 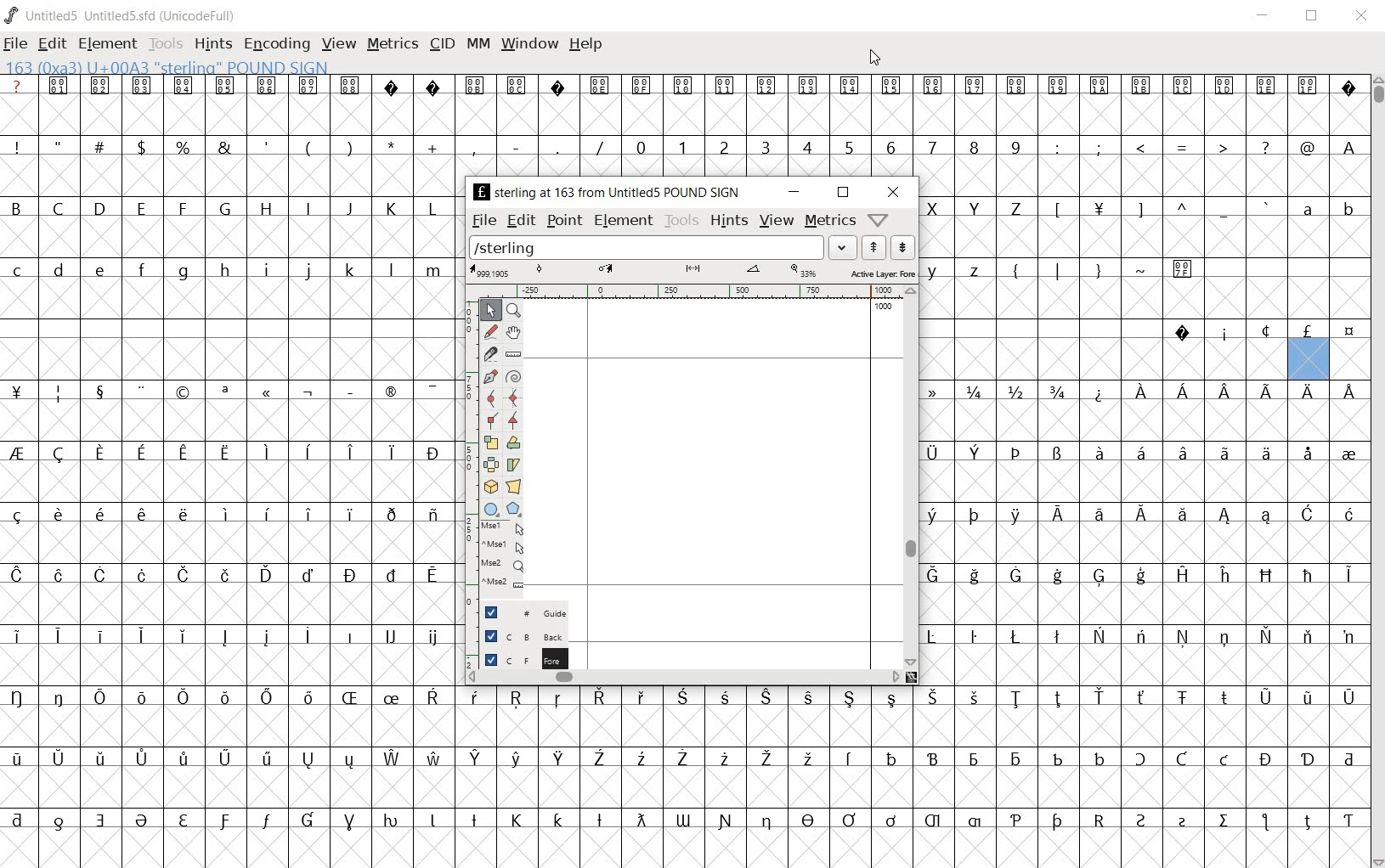 I want to click on Tools, so click(x=166, y=45).